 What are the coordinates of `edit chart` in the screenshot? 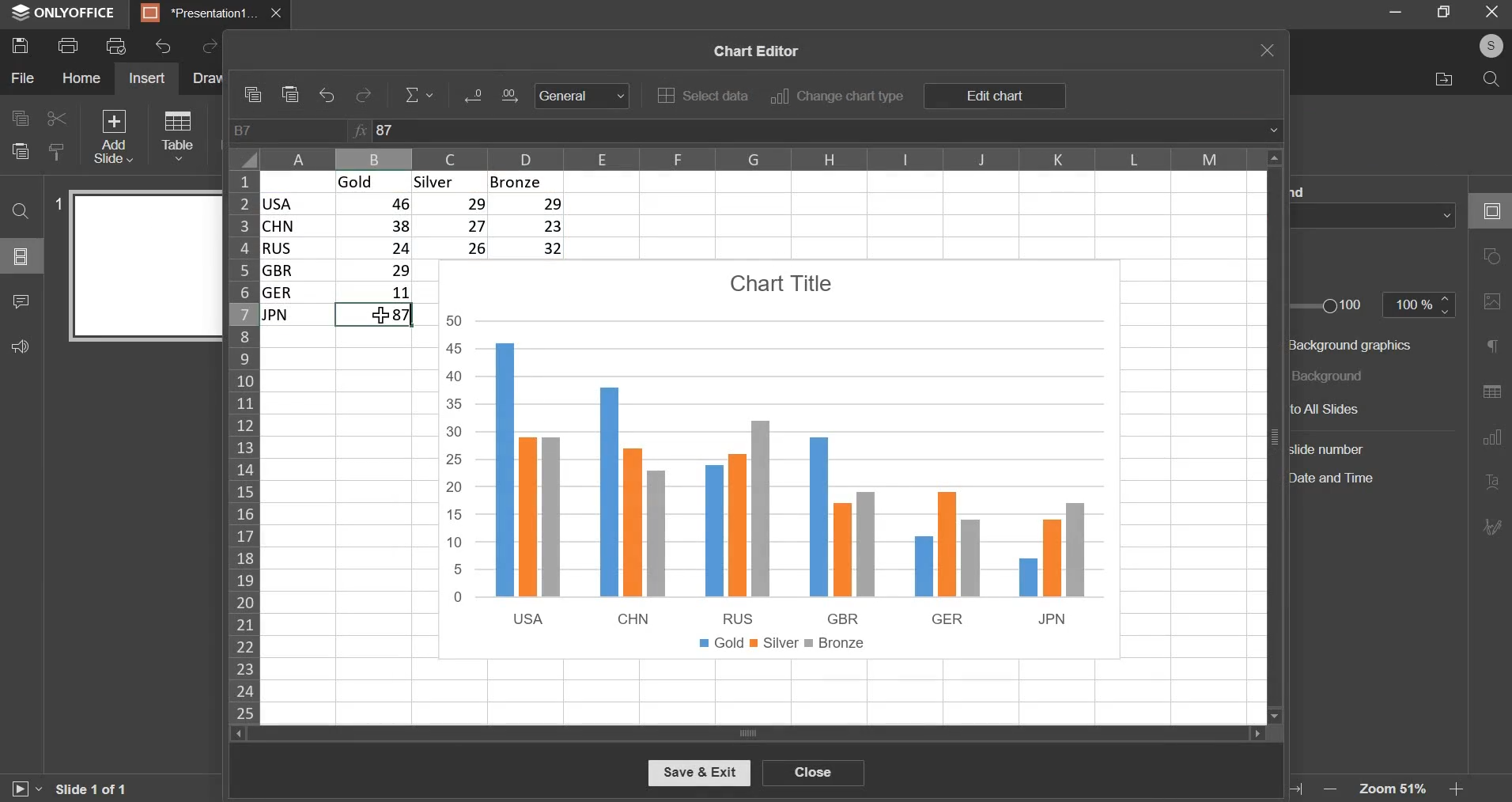 It's located at (993, 96).